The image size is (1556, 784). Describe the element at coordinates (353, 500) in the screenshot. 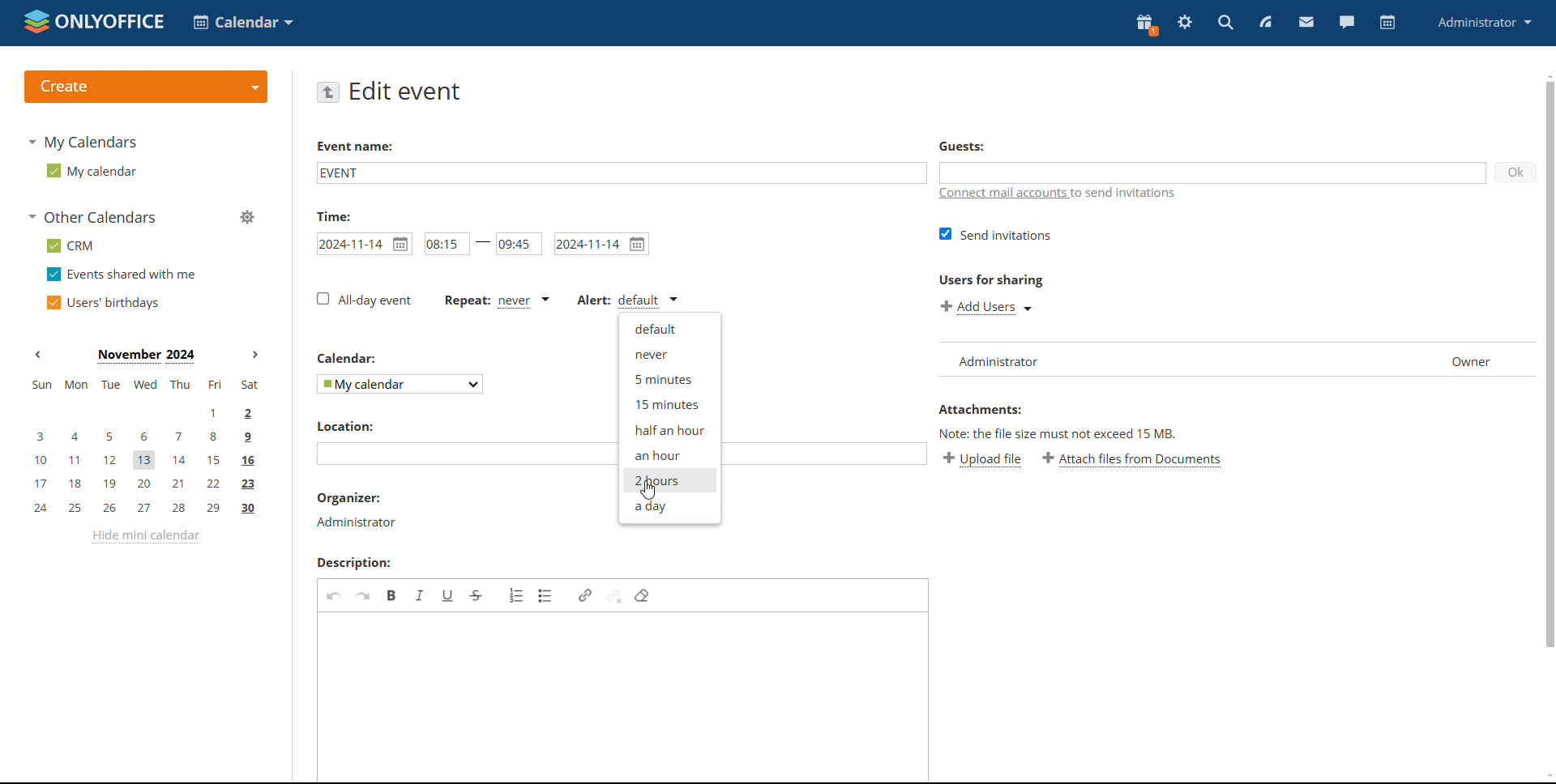

I see `organizer label` at that location.